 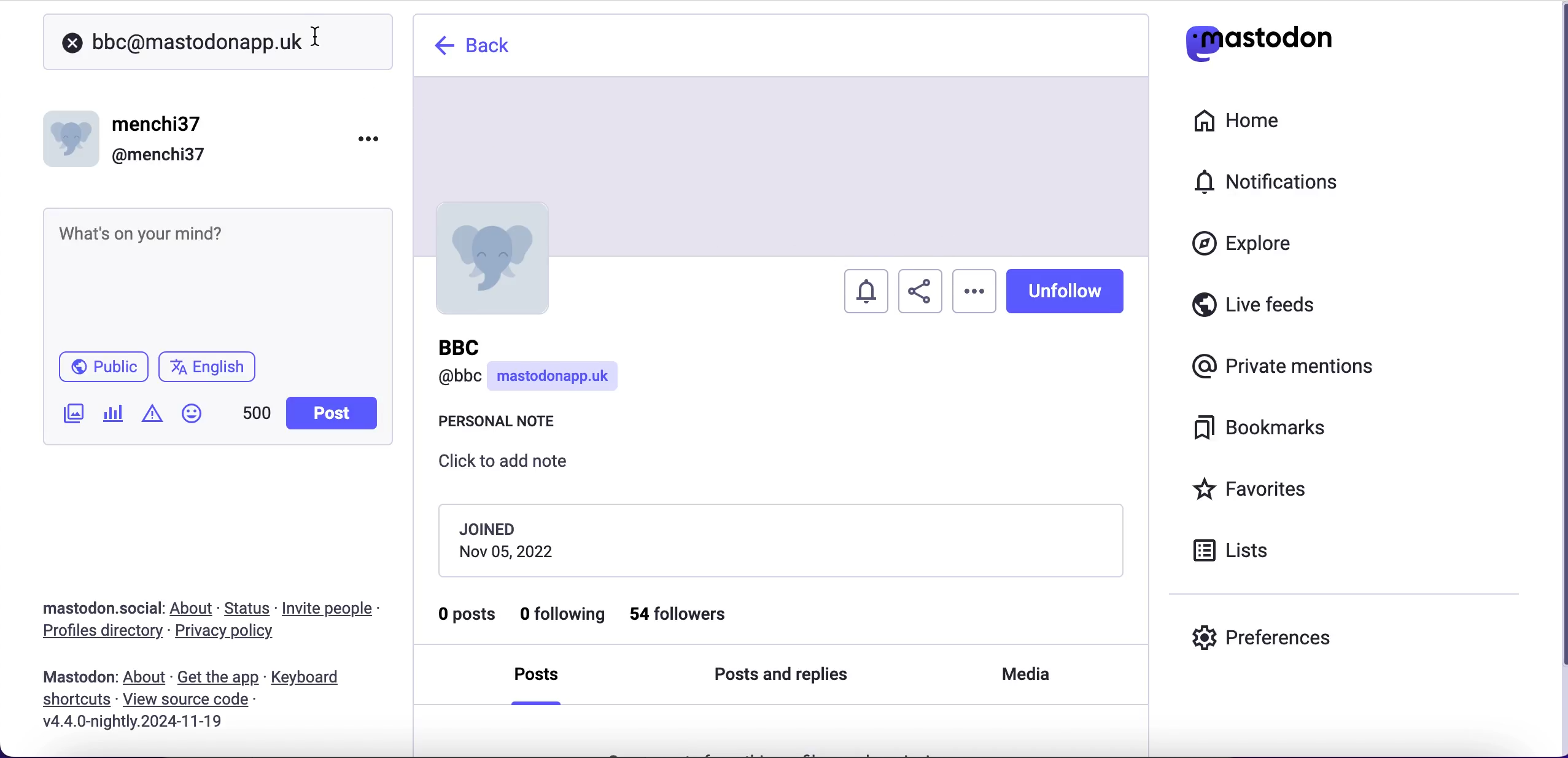 I want to click on characters, so click(x=257, y=415).